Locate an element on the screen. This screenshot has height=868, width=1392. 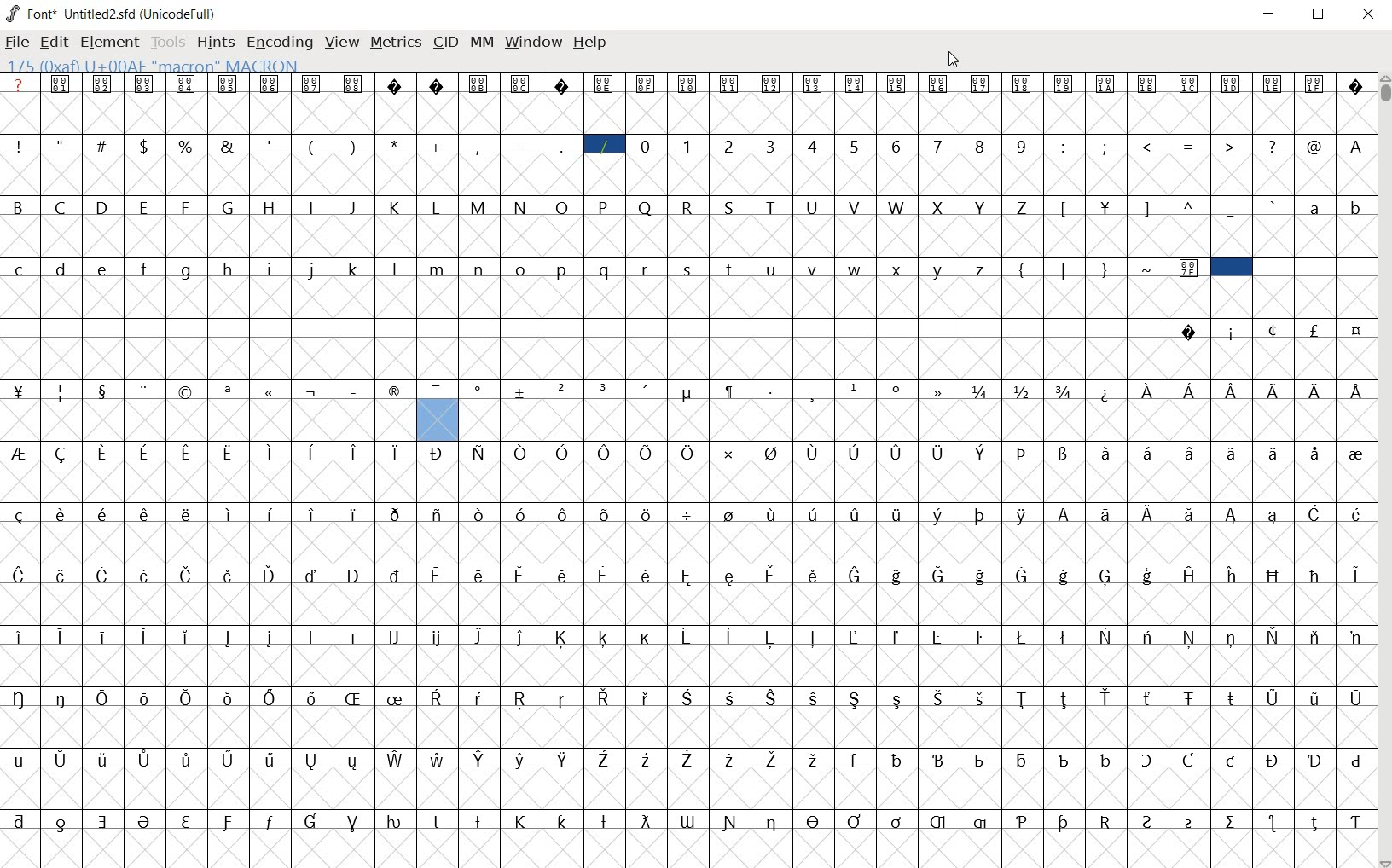
Symbol is located at coordinates (1230, 759).